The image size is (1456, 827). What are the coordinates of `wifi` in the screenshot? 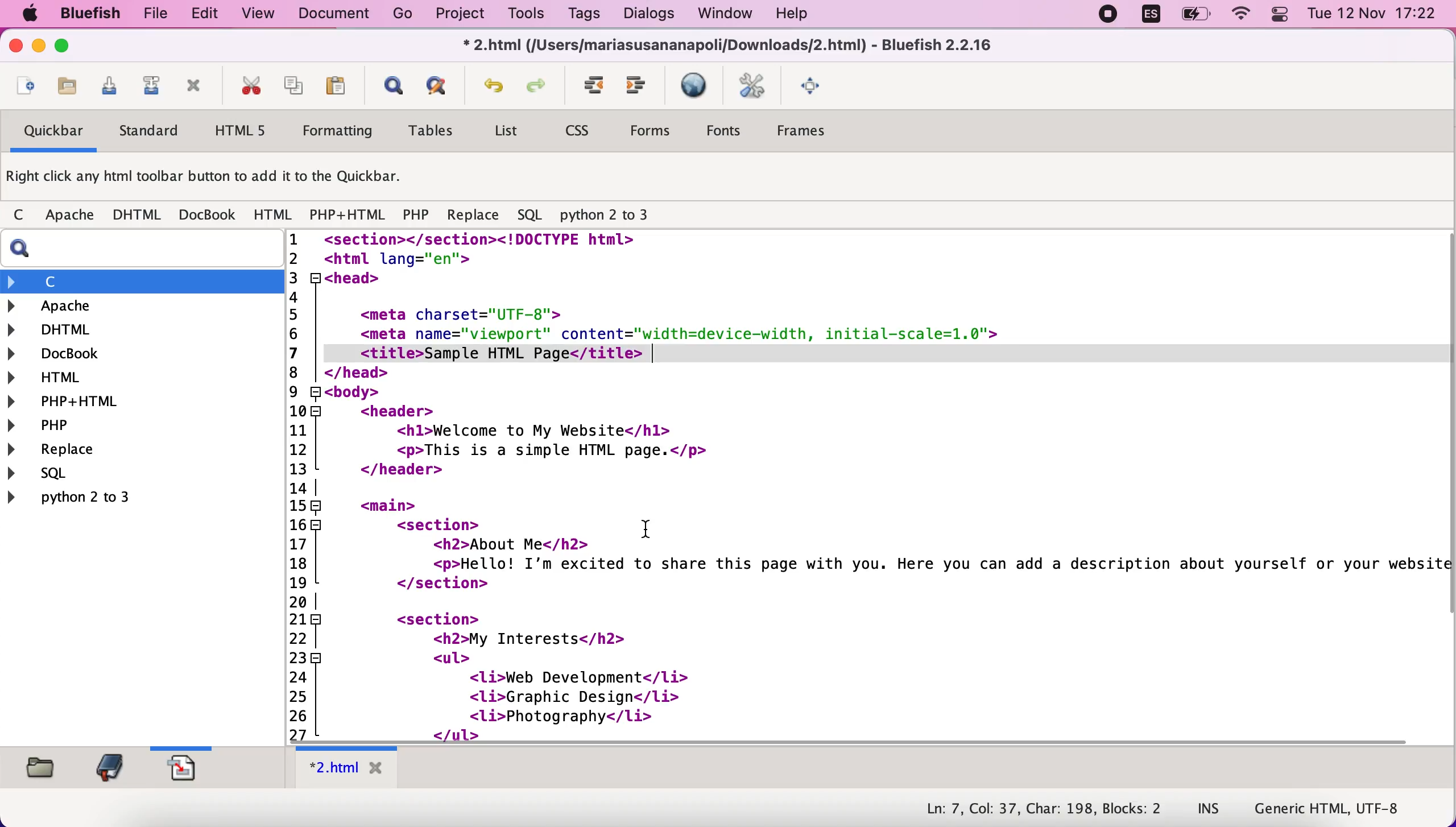 It's located at (1242, 16).